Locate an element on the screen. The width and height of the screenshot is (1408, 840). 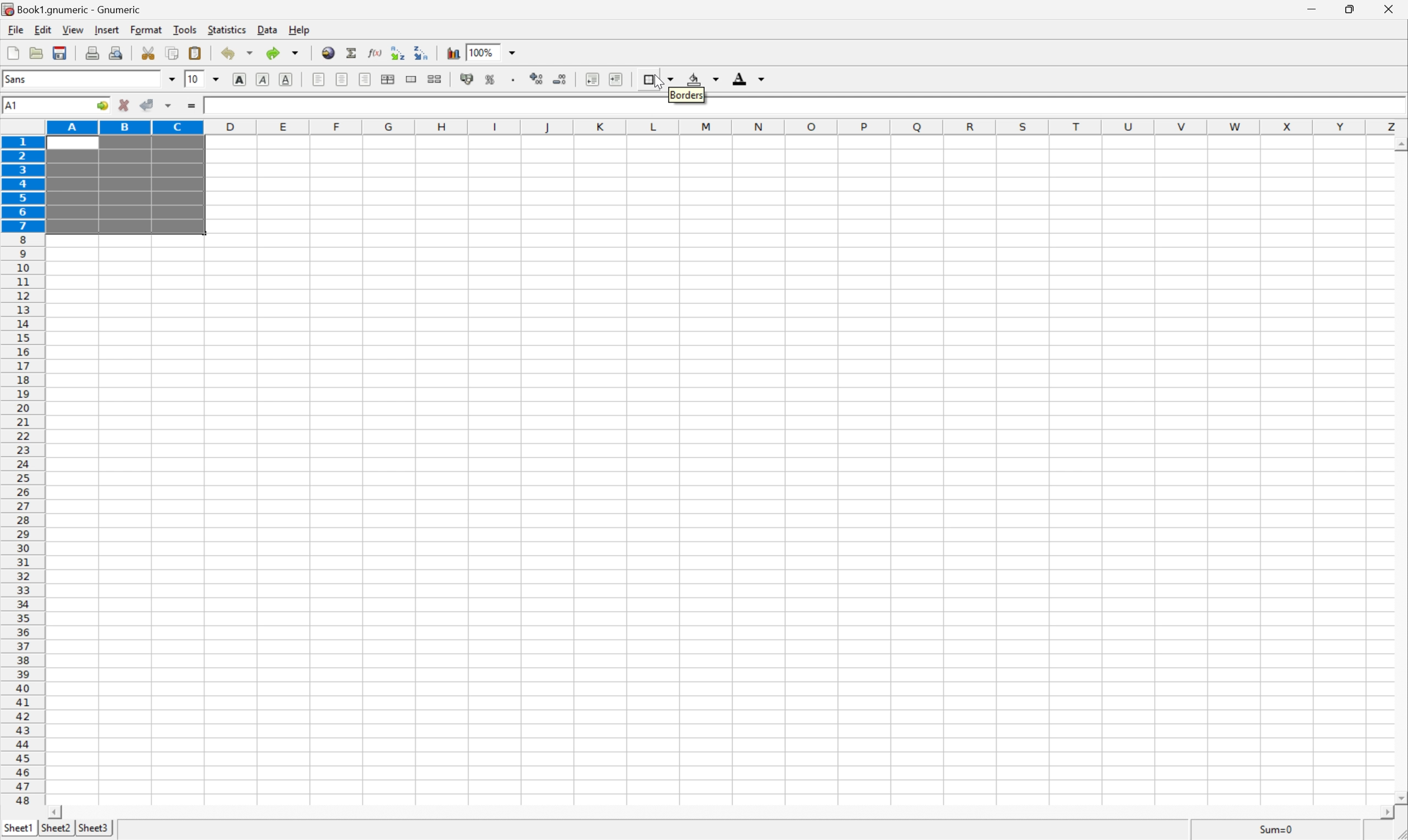
insert chart is located at coordinates (452, 52).